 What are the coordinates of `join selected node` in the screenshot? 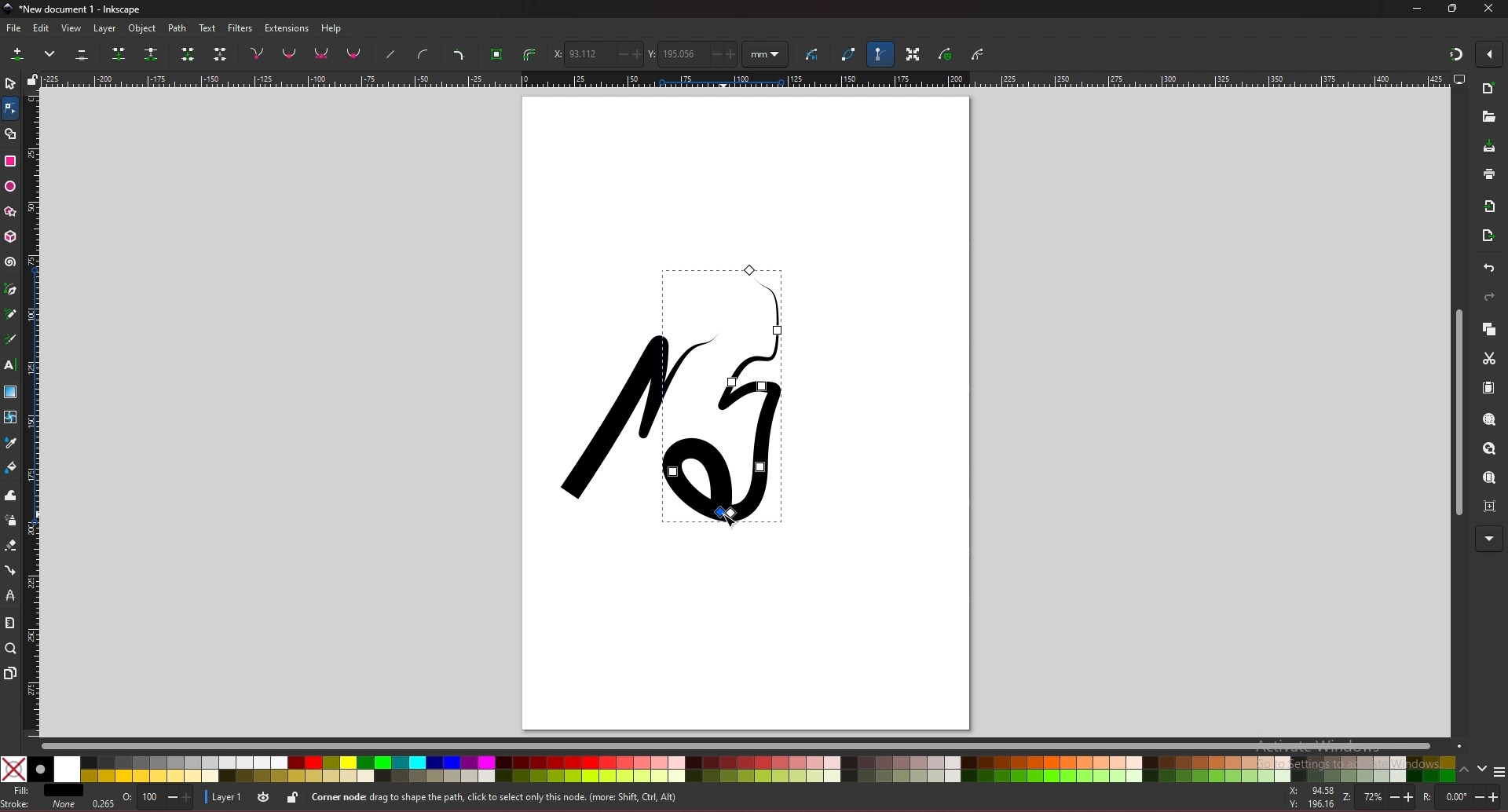 It's located at (118, 53).